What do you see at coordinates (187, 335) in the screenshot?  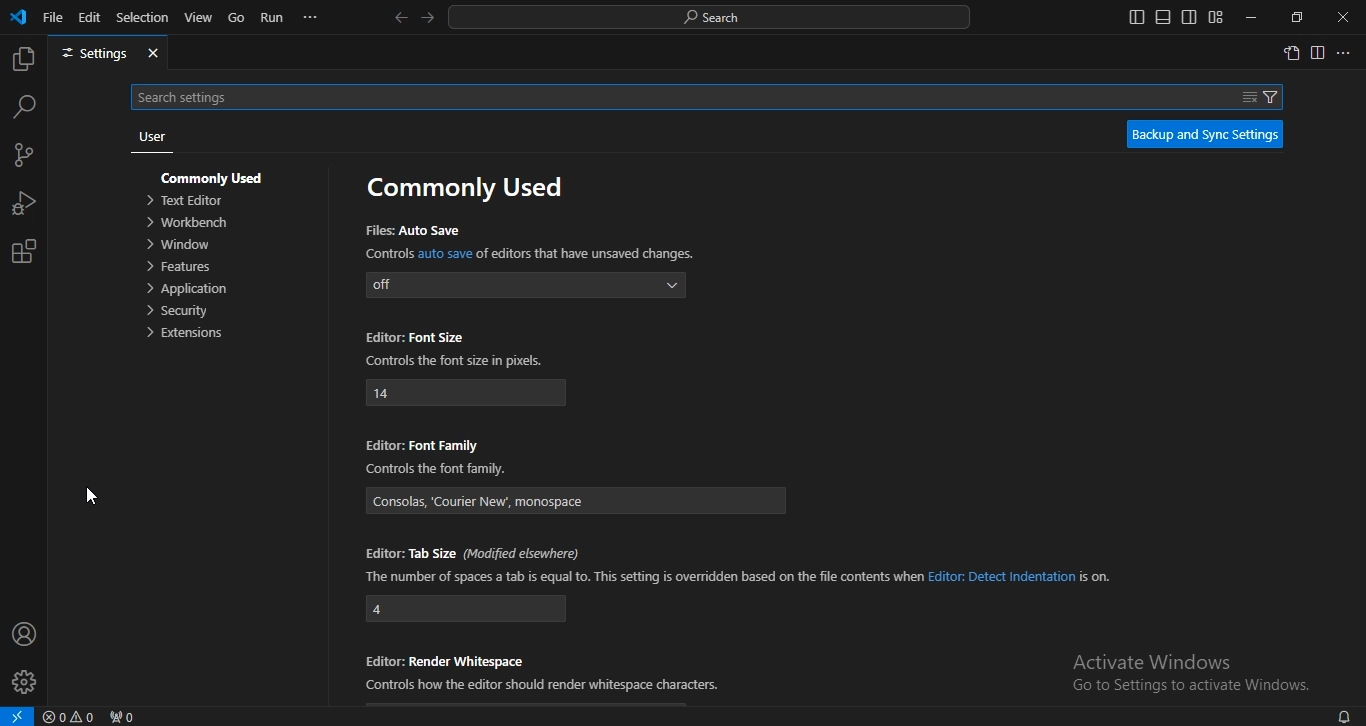 I see `extensions` at bounding box center [187, 335].